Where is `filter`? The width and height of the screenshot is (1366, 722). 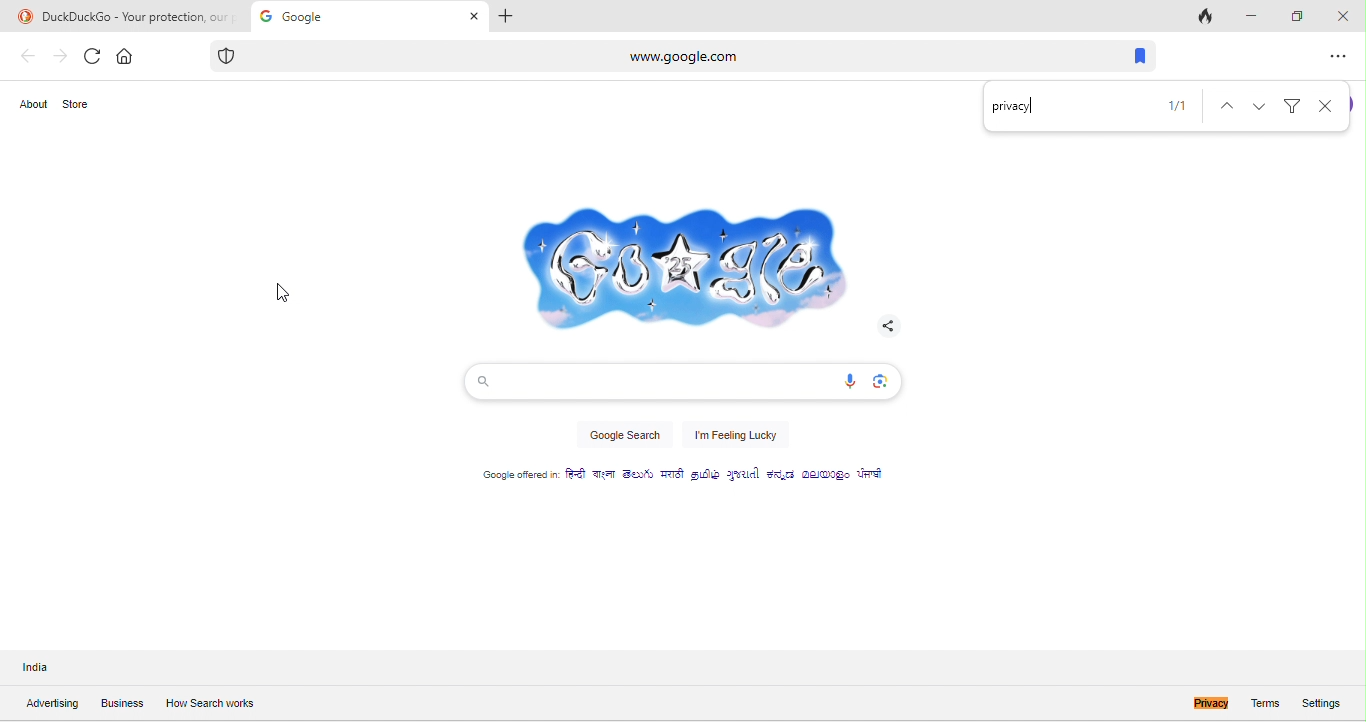 filter is located at coordinates (1294, 104).